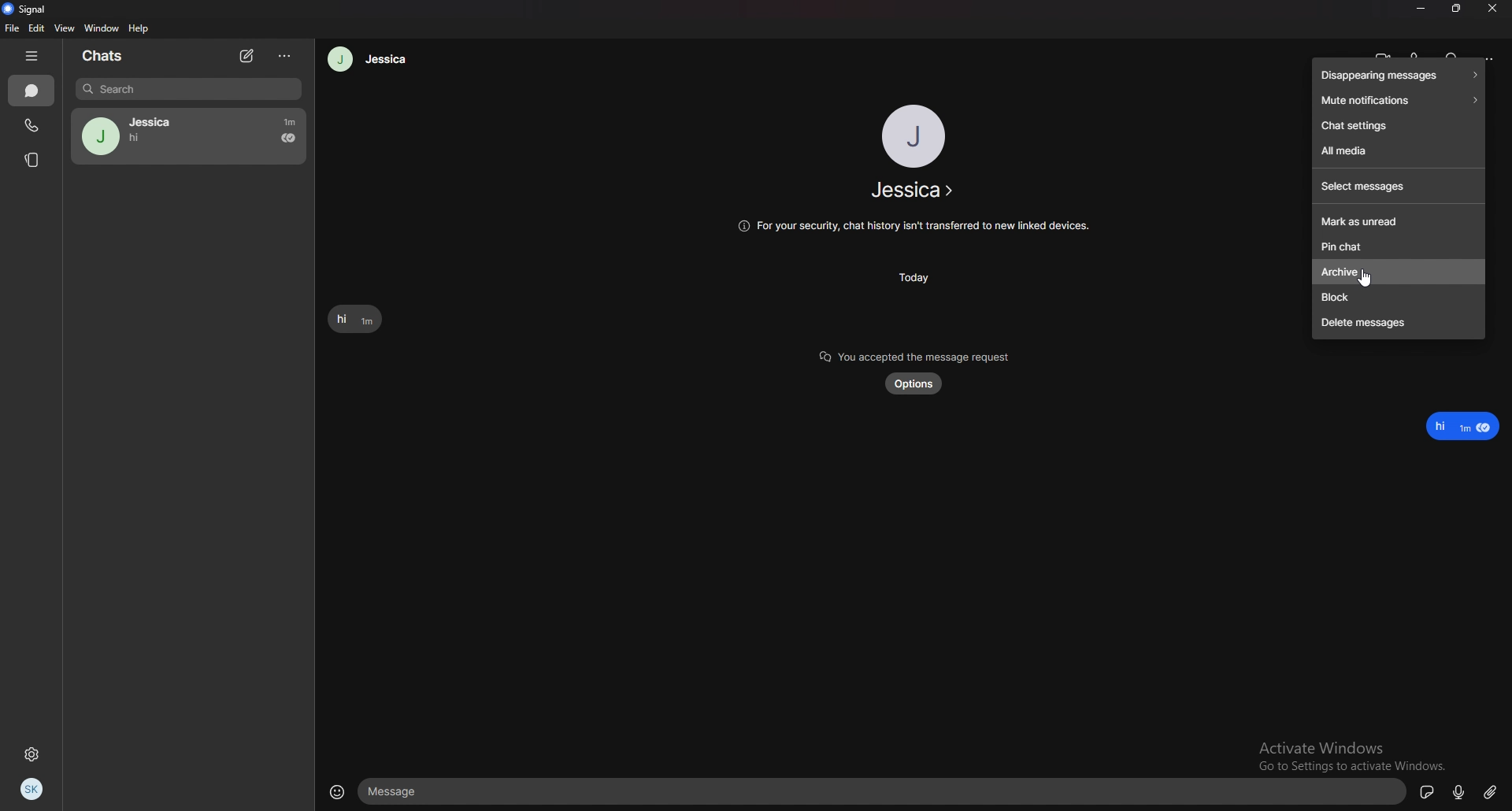  I want to click on Search bar, so click(187, 90).